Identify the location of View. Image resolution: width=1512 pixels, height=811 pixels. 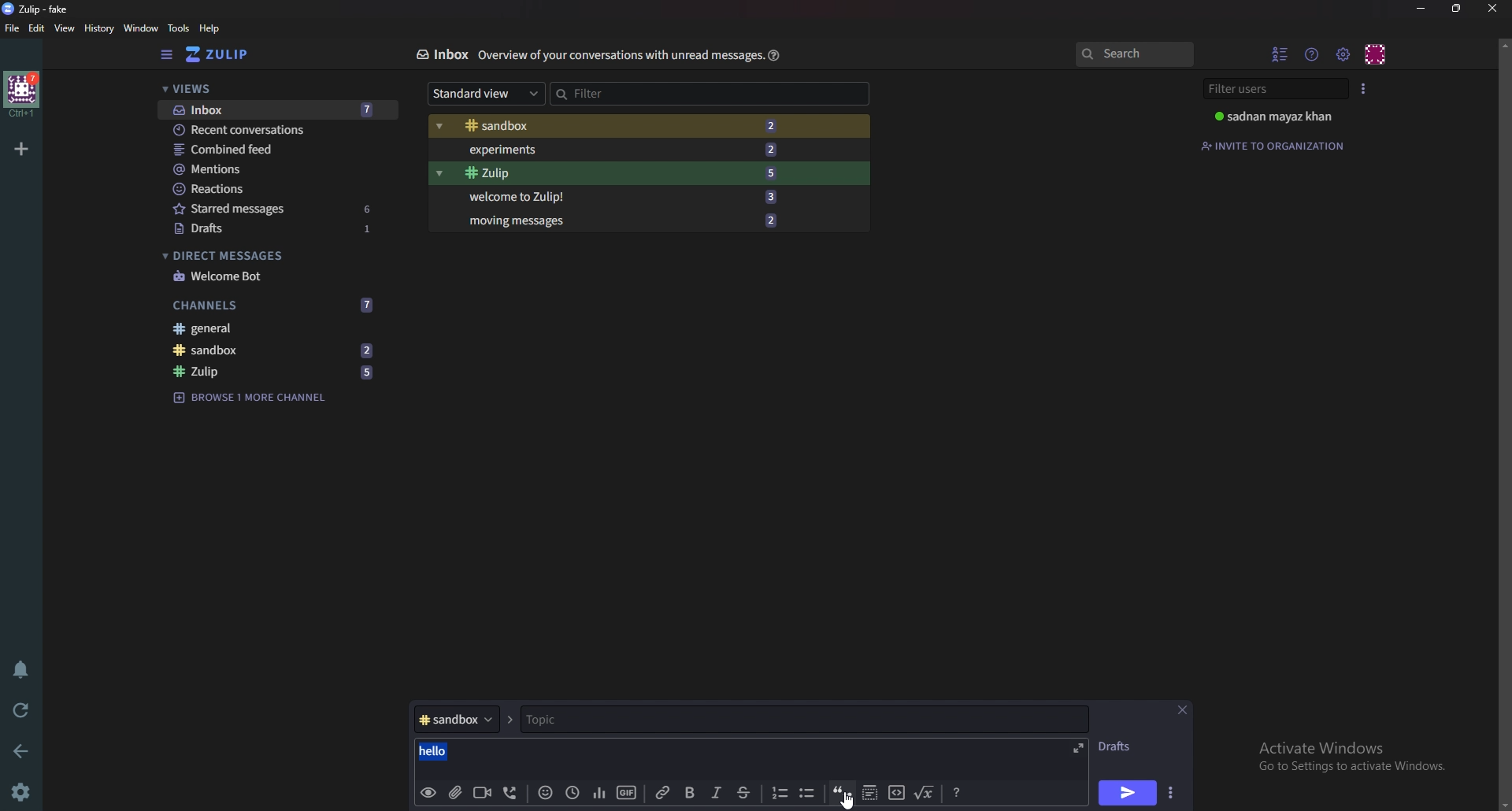
(65, 30).